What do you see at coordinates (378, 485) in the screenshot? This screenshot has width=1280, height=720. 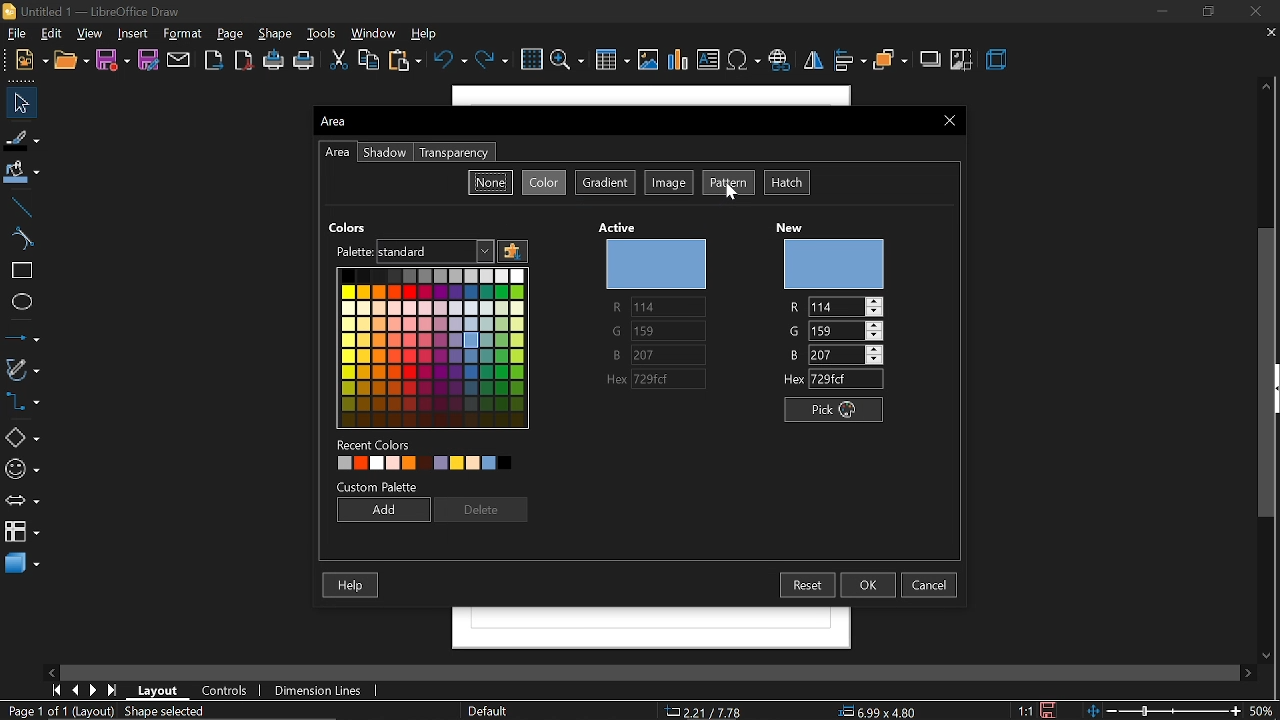 I see `Custom Palette` at bounding box center [378, 485].